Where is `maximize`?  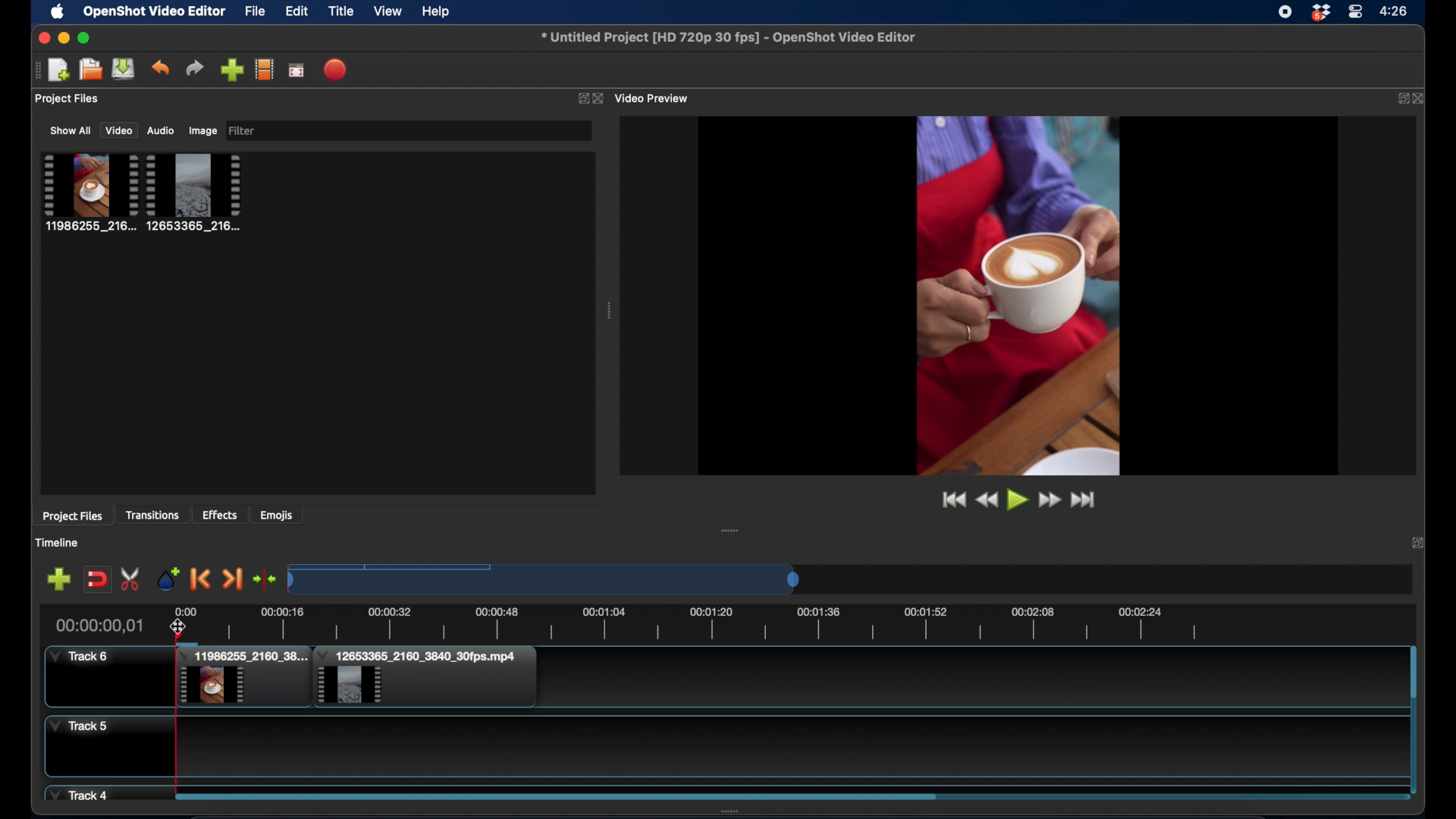 maximize is located at coordinates (84, 38).